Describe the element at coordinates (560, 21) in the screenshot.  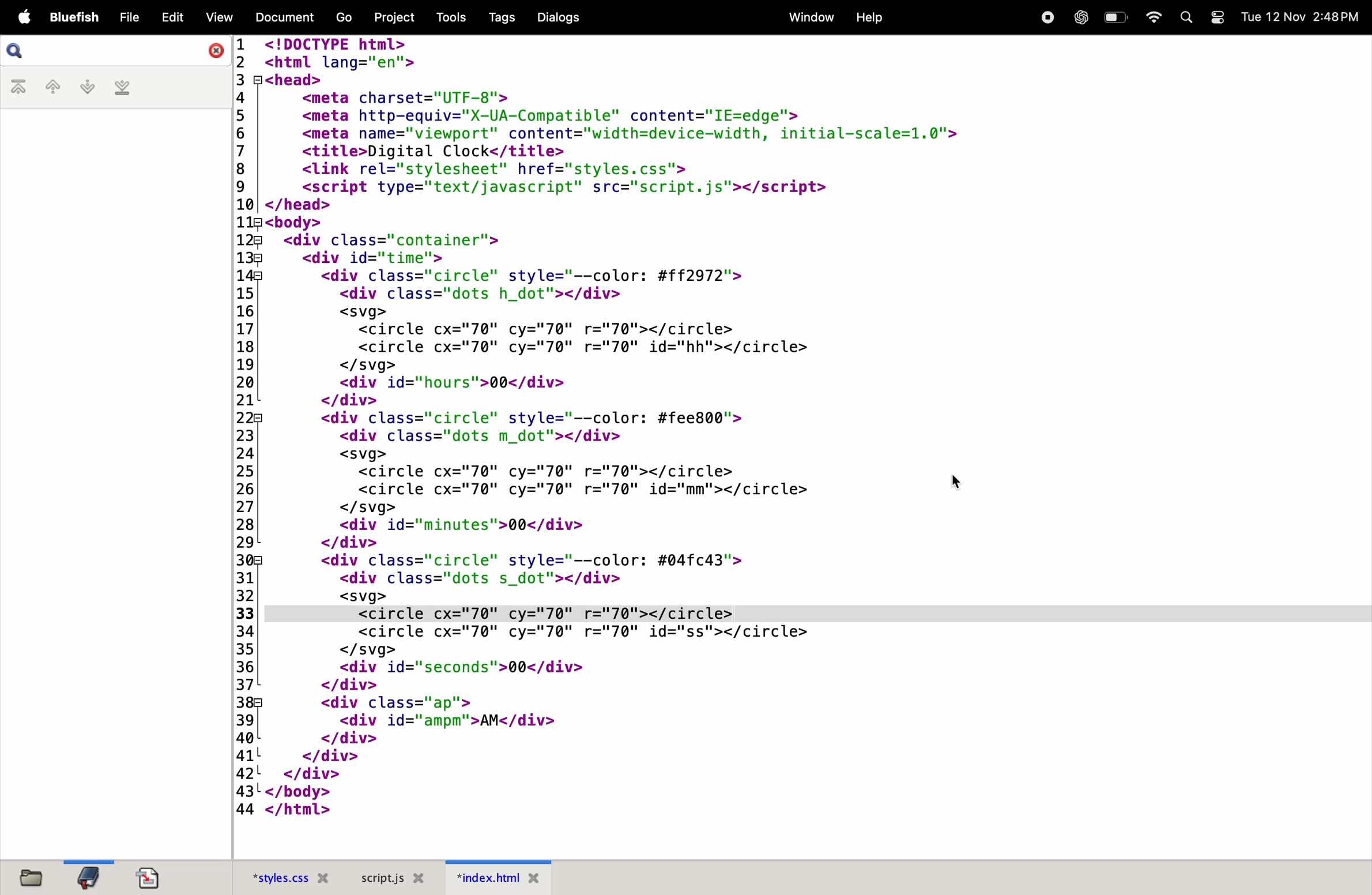
I see `dialogs` at that location.